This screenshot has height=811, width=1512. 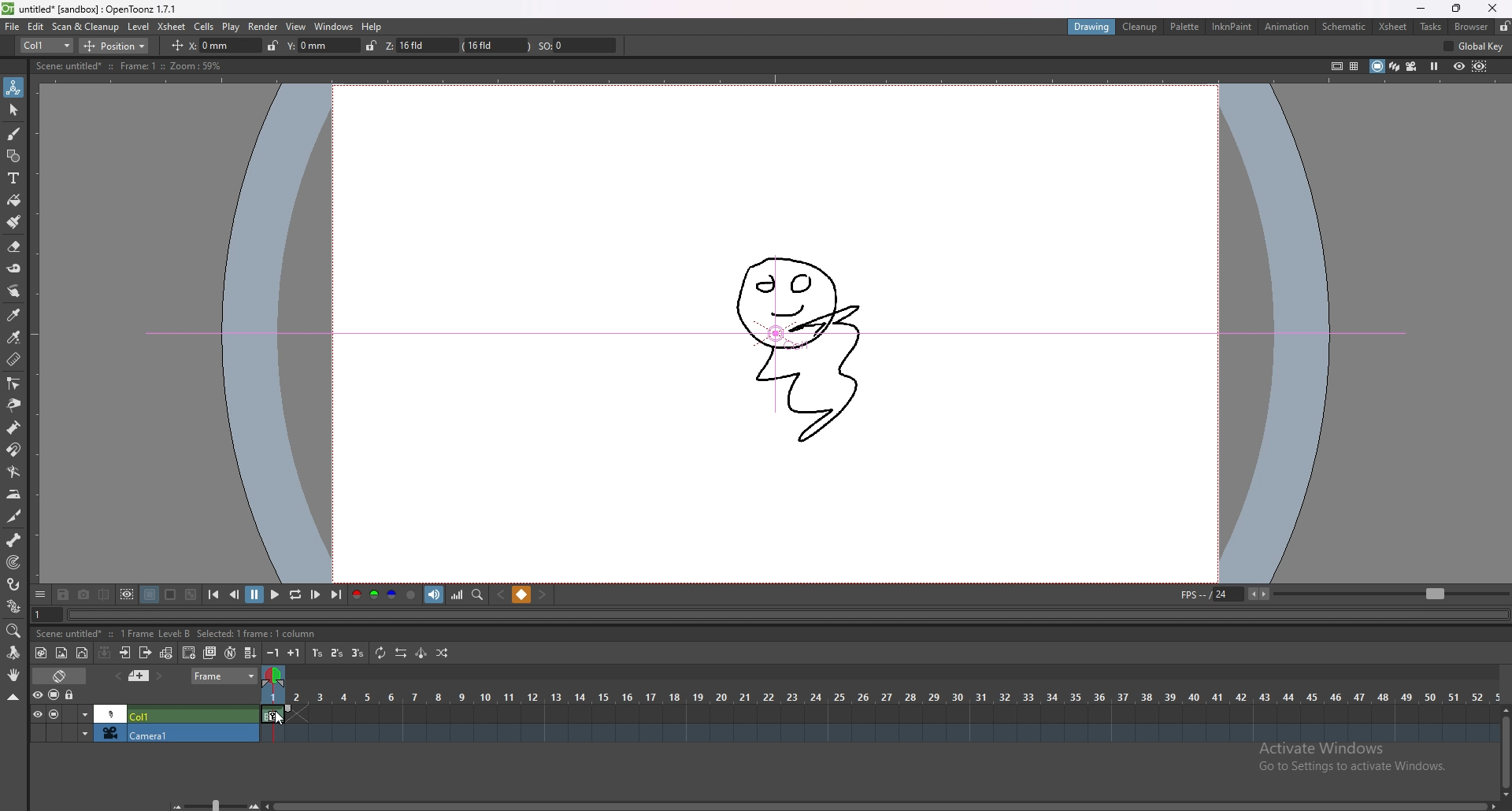 I want to click on 3d, so click(x=1394, y=66).